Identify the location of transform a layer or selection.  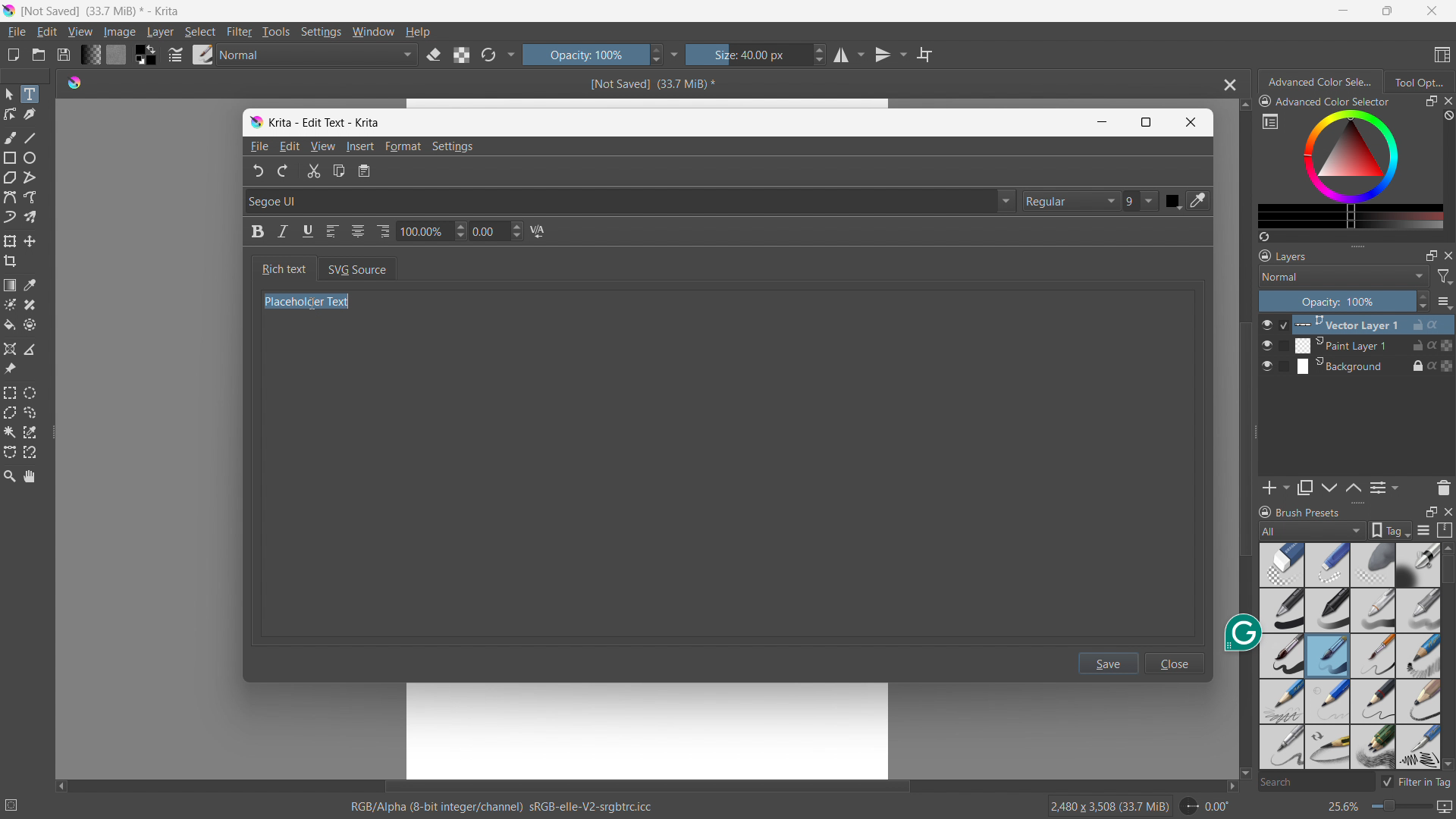
(10, 241).